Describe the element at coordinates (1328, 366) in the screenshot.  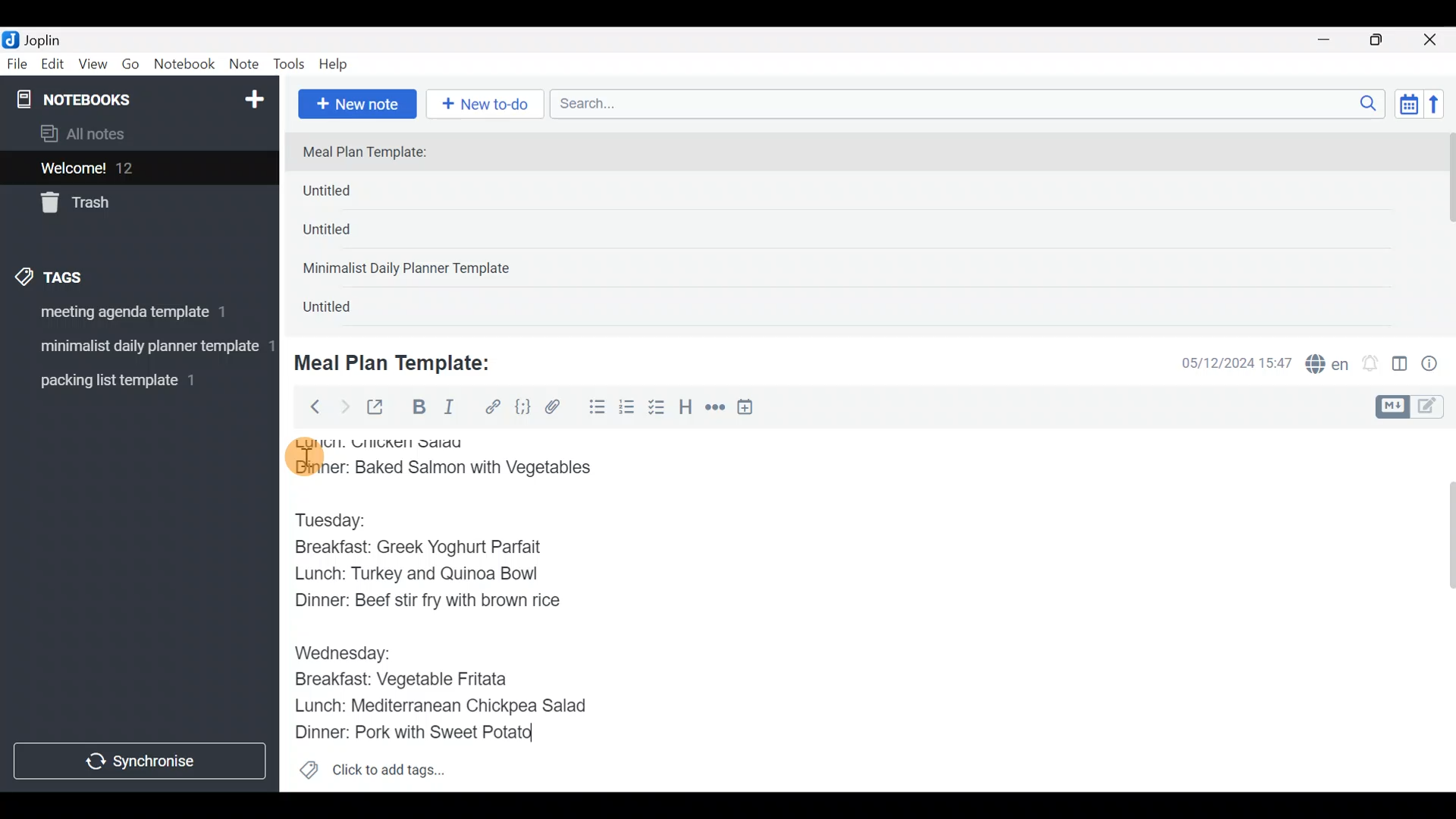
I see `Spelling` at that location.